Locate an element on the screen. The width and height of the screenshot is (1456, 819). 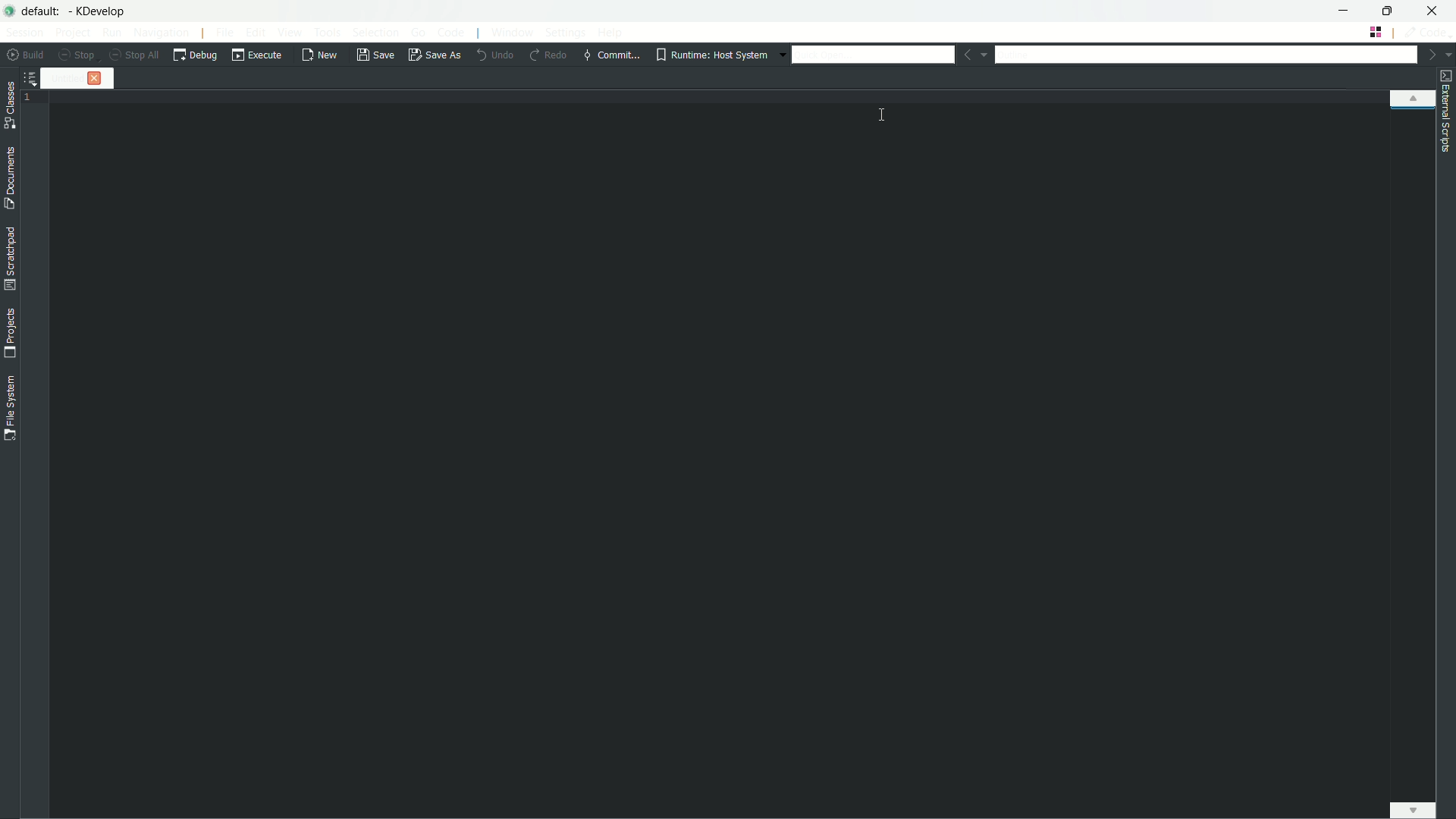
workspace is located at coordinates (748, 462).